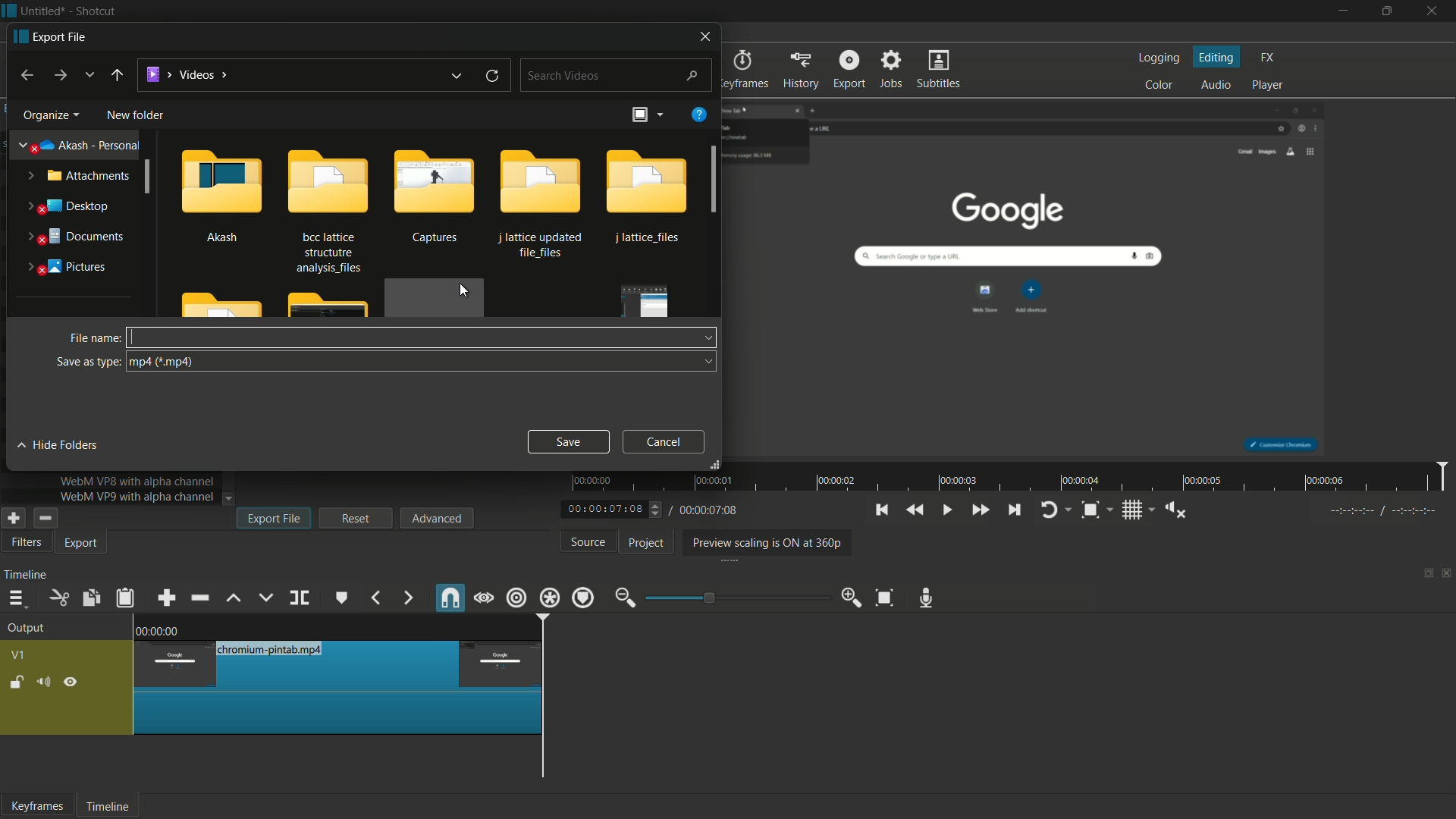  What do you see at coordinates (44, 518) in the screenshot?
I see `remove` at bounding box center [44, 518].